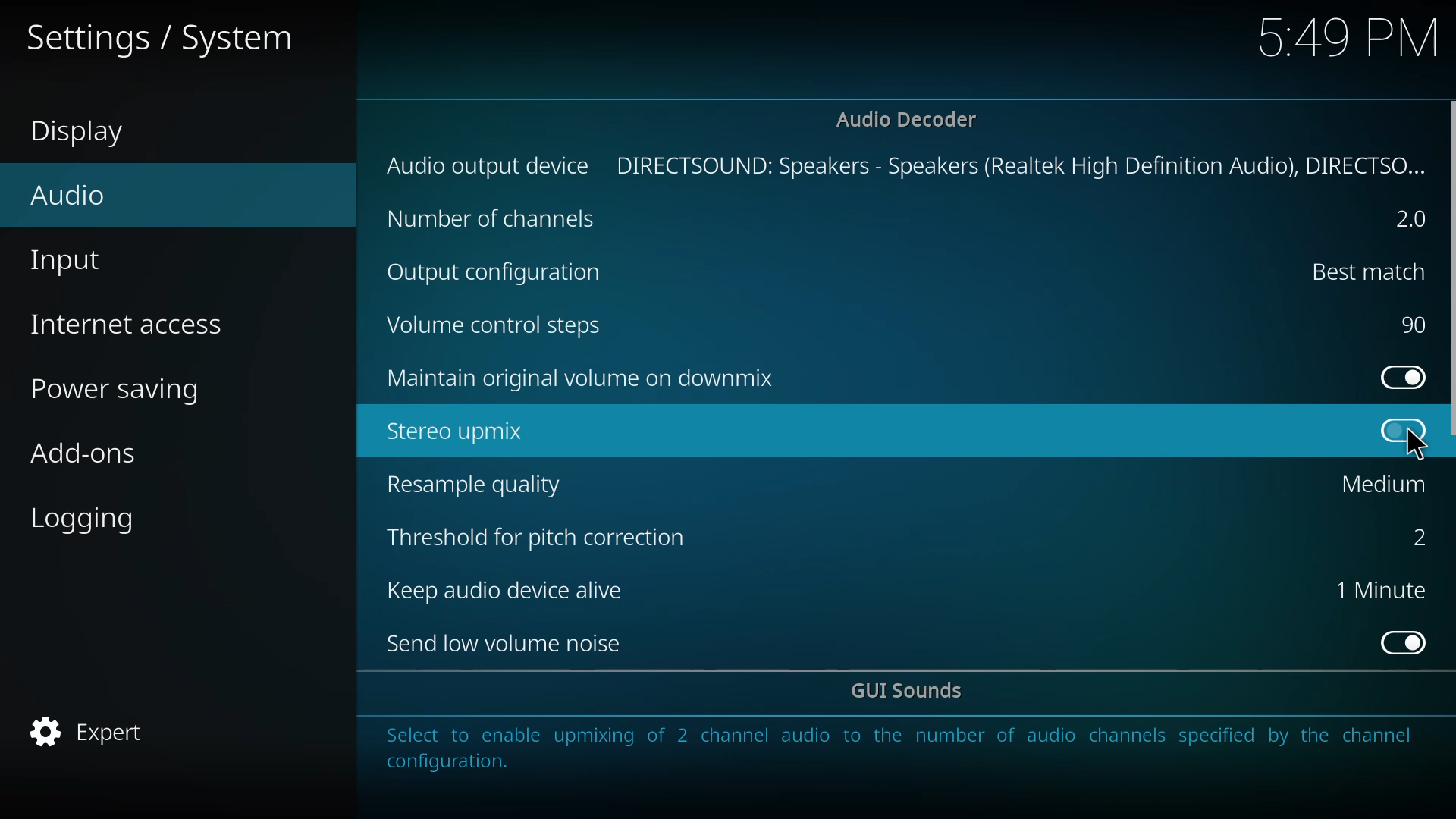  What do you see at coordinates (1347, 37) in the screenshot?
I see `time` at bounding box center [1347, 37].